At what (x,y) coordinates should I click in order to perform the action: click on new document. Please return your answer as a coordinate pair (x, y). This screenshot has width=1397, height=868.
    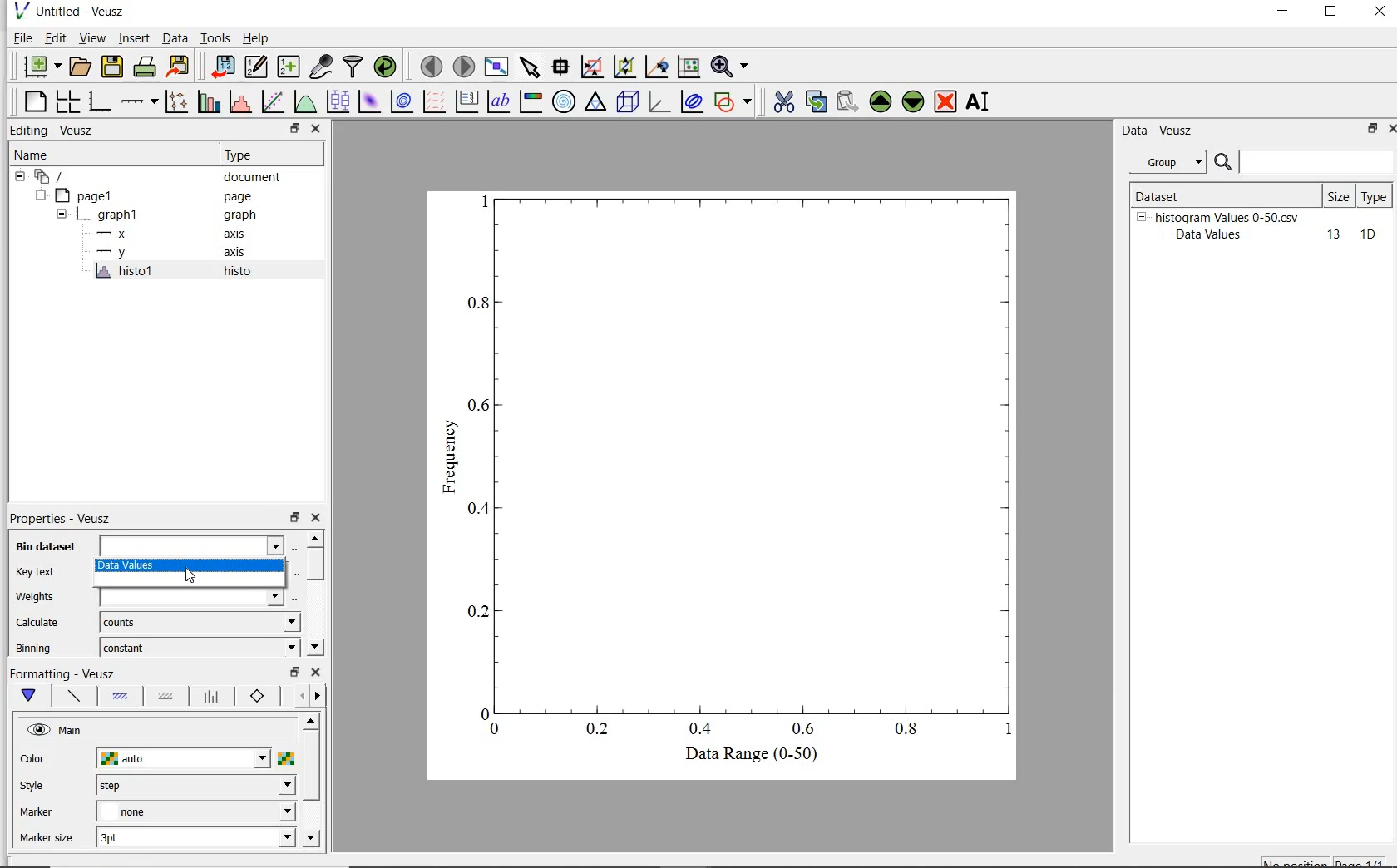
    Looking at the image, I should click on (41, 66).